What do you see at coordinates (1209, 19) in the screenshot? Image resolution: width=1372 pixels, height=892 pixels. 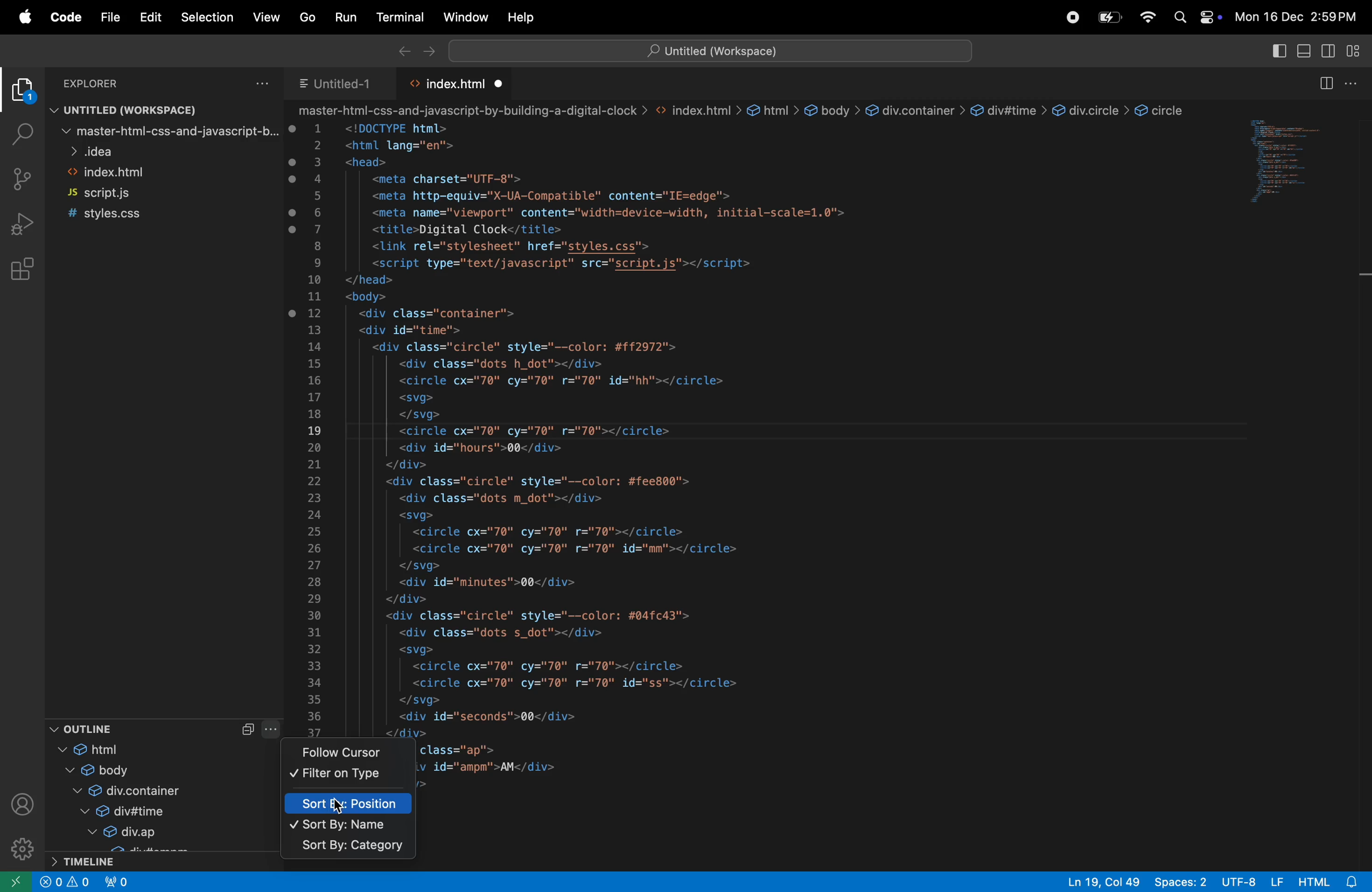 I see `apple widgets` at bounding box center [1209, 19].